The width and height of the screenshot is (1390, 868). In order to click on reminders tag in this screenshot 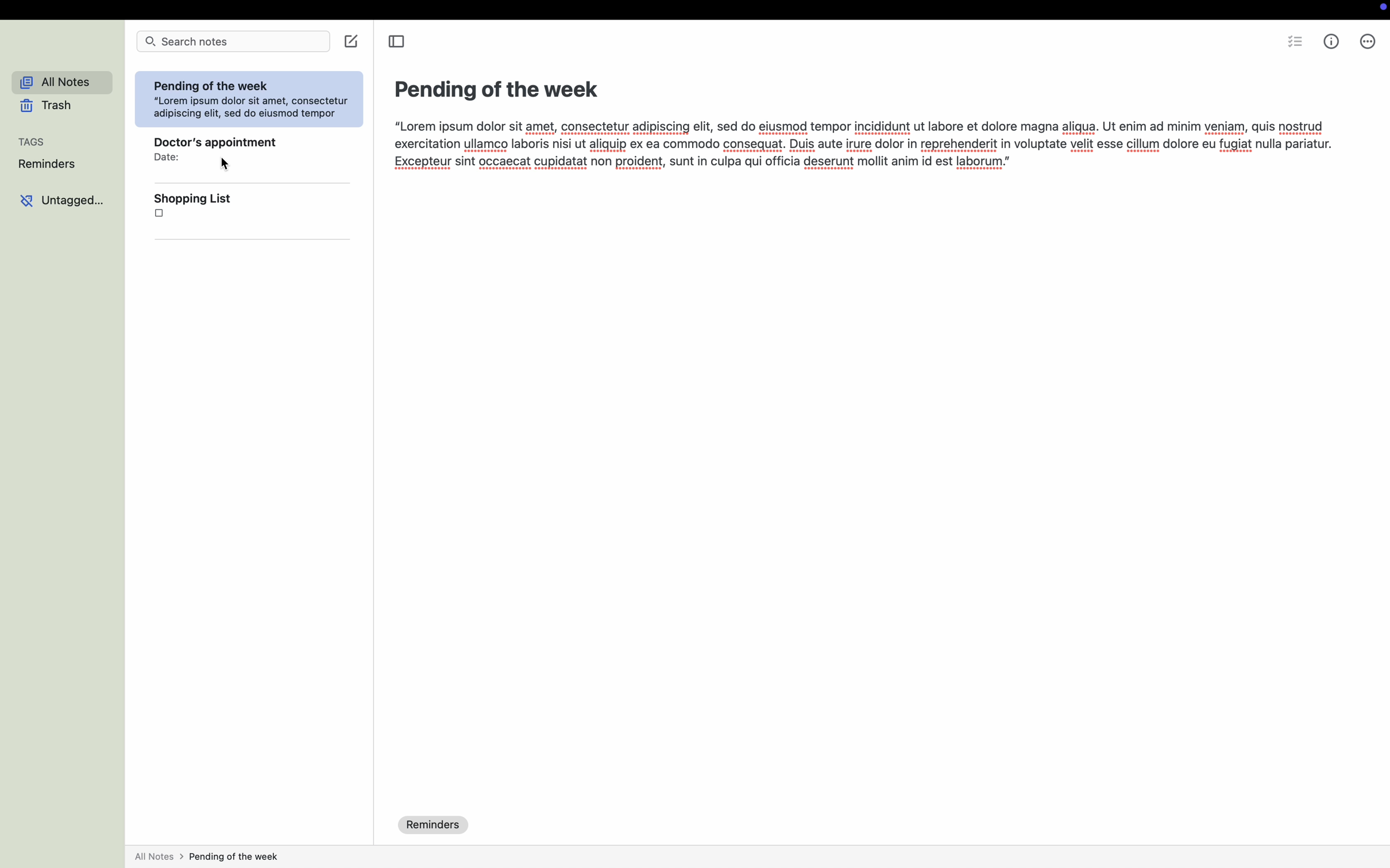, I will do `click(435, 824)`.